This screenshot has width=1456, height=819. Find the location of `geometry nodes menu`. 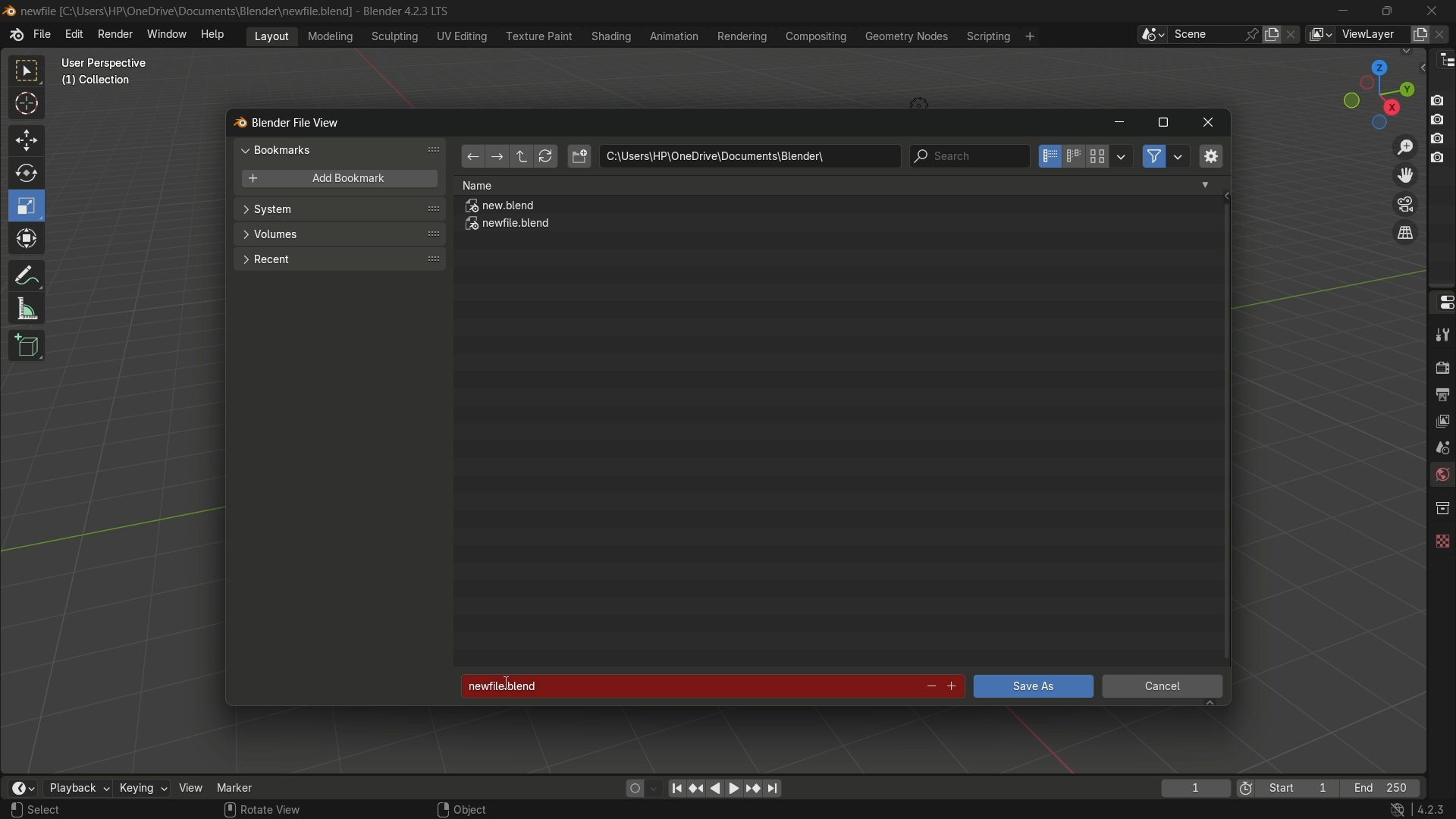

geometry nodes menu is located at coordinates (905, 36).